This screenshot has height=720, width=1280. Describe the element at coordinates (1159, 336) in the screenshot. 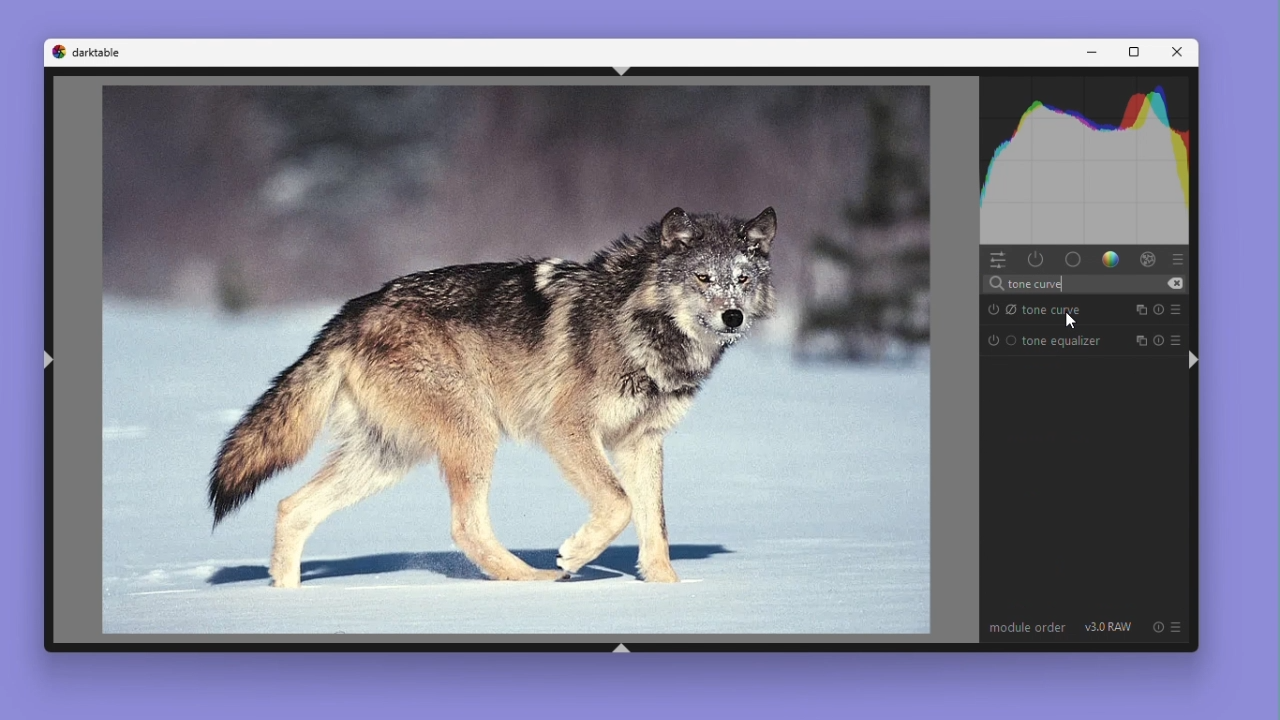

I see `Reset` at that location.